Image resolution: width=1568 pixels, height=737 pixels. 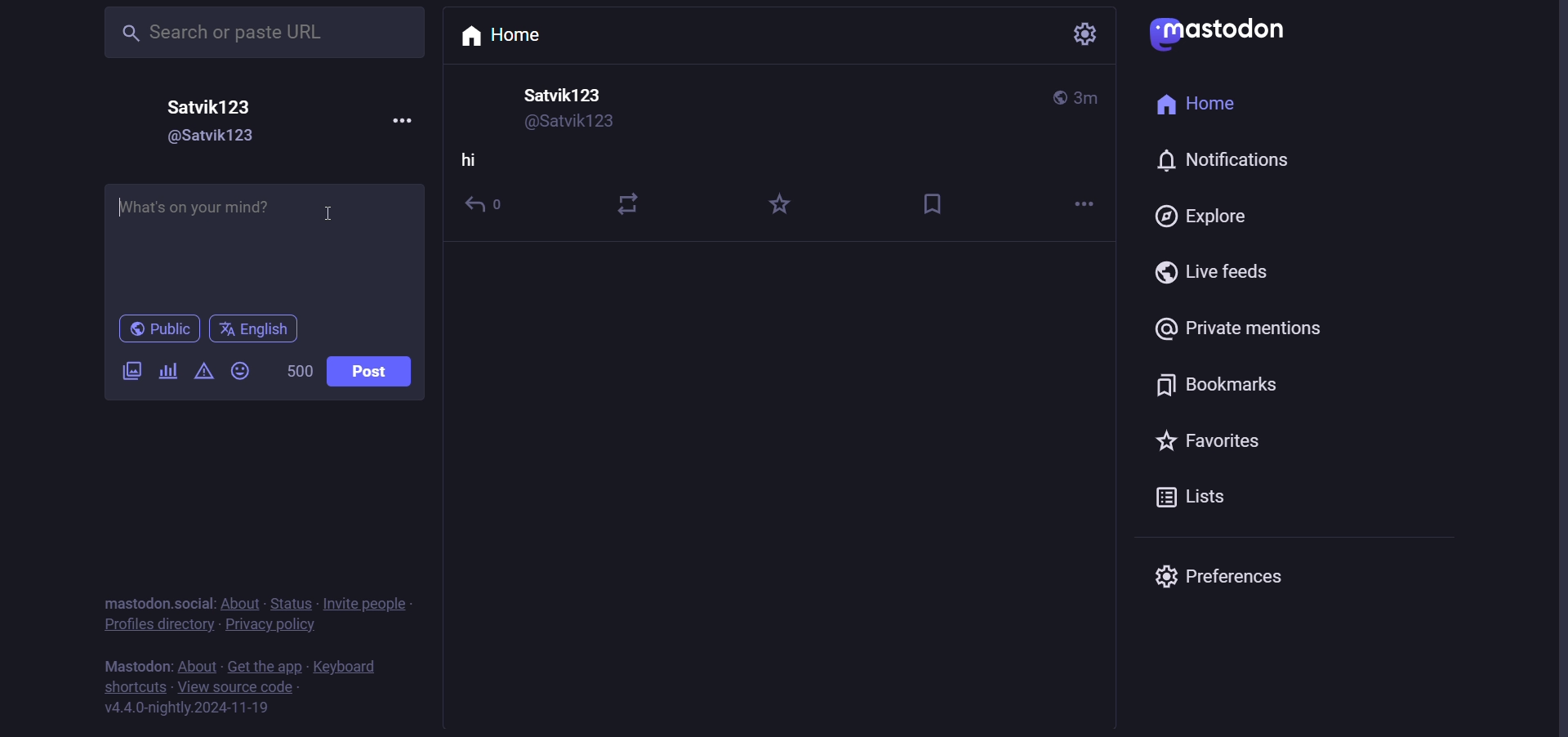 I want to click on last modified, so click(x=1088, y=98).